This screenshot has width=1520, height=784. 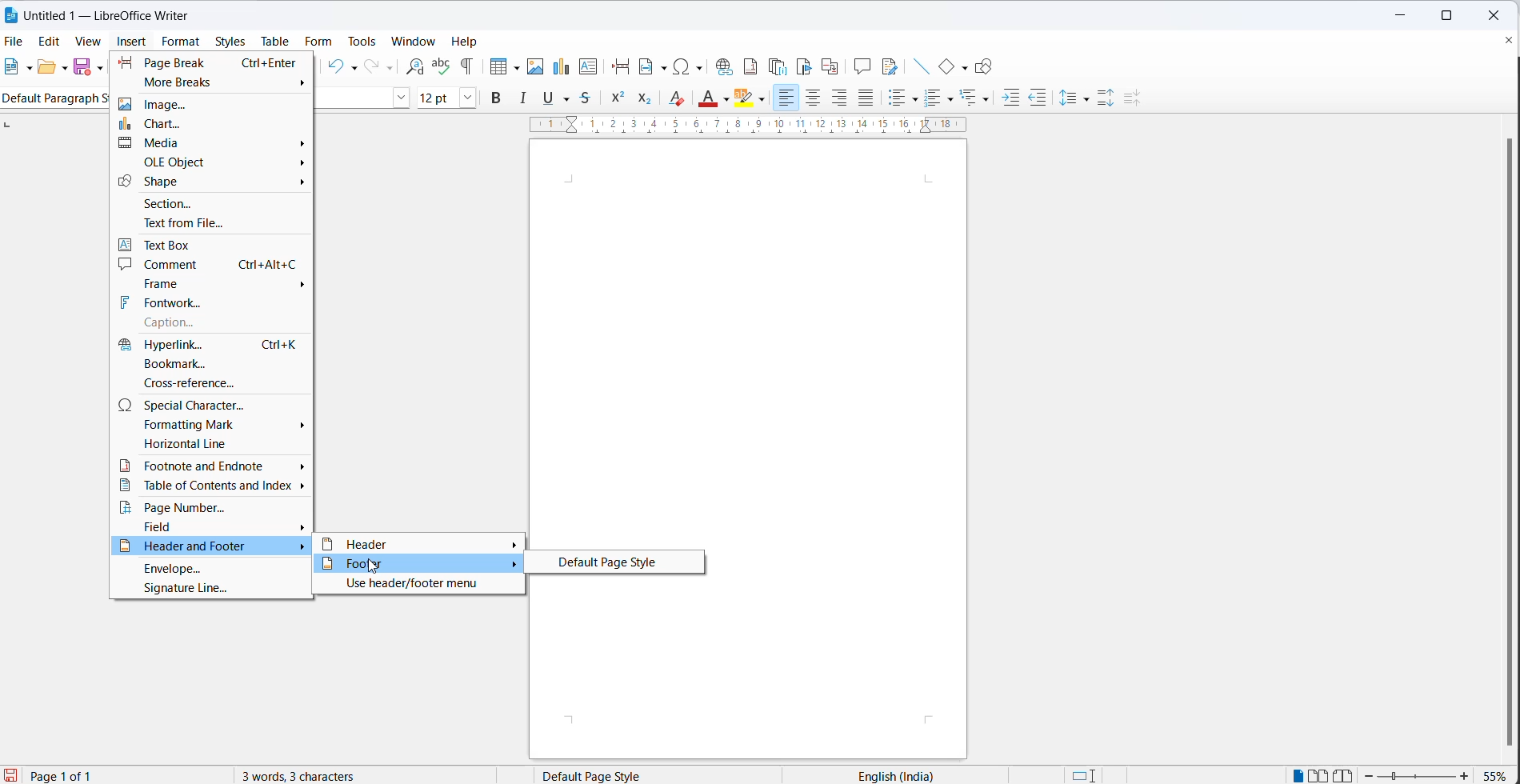 I want to click on Default paragraph style, so click(x=58, y=100).